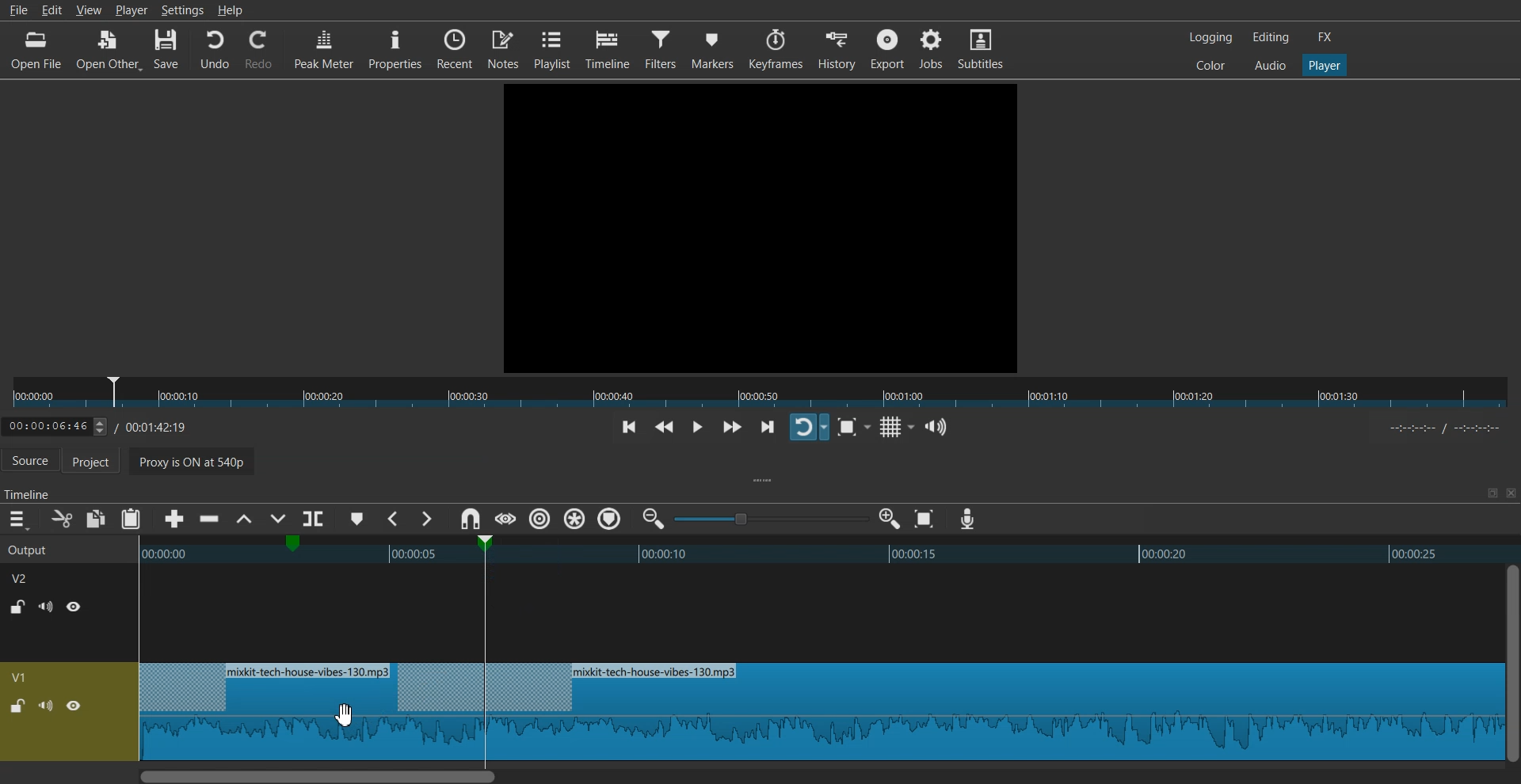  Describe the element at coordinates (776, 49) in the screenshot. I see `Keyframes` at that location.